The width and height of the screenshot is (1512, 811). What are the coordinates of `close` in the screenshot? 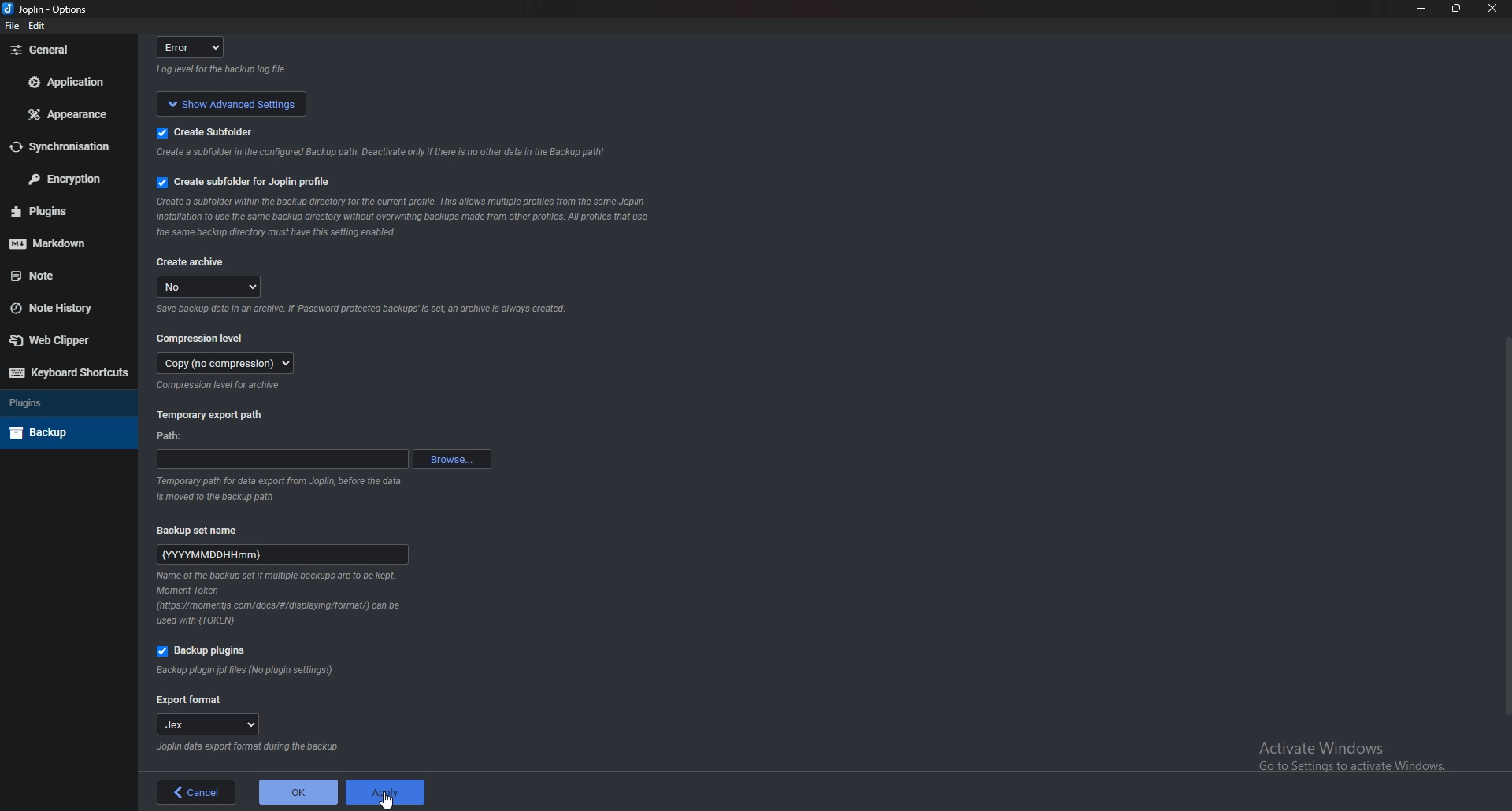 It's located at (1490, 12).